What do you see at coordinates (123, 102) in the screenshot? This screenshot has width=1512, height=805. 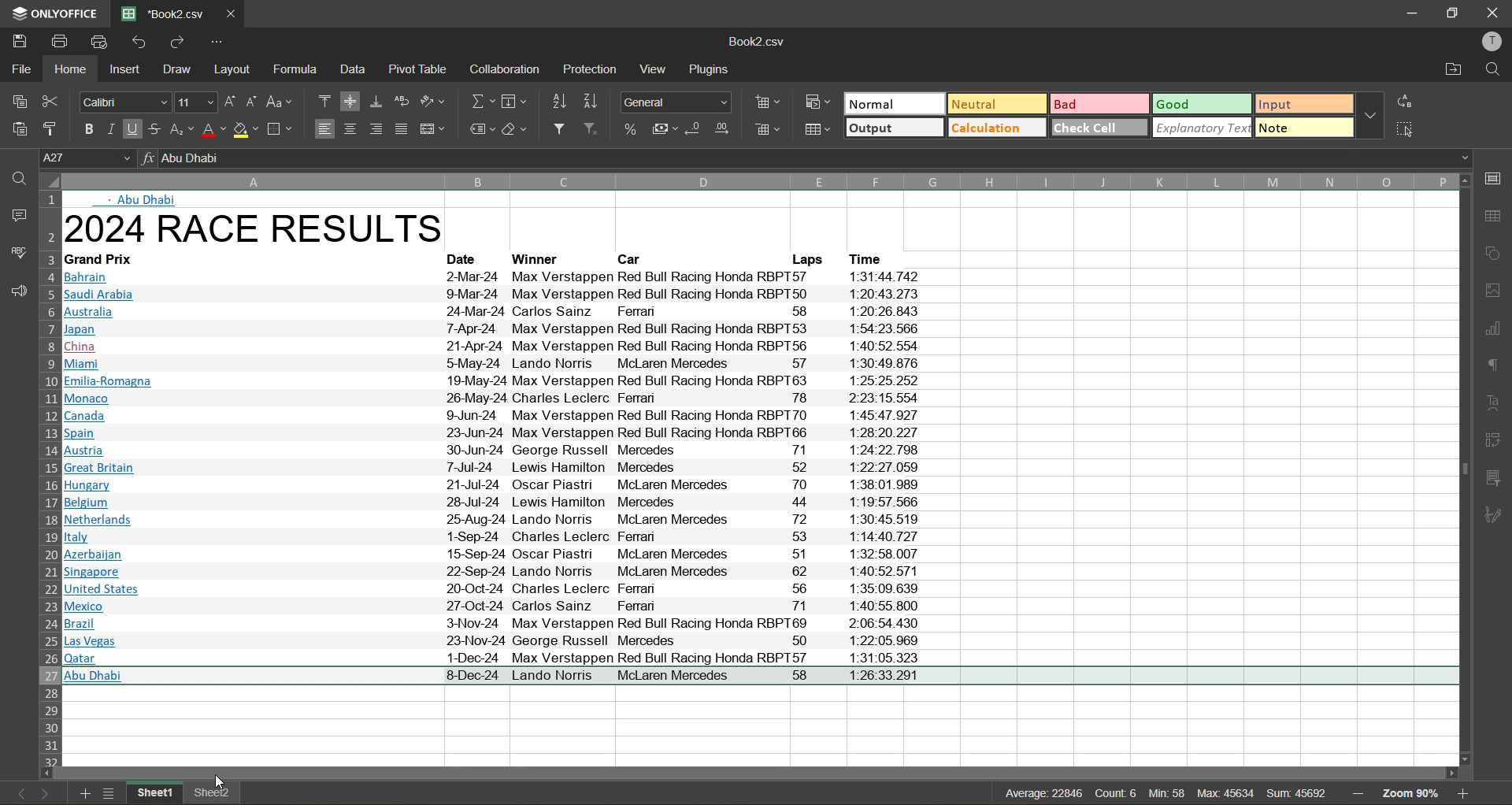 I see `font style` at bounding box center [123, 102].